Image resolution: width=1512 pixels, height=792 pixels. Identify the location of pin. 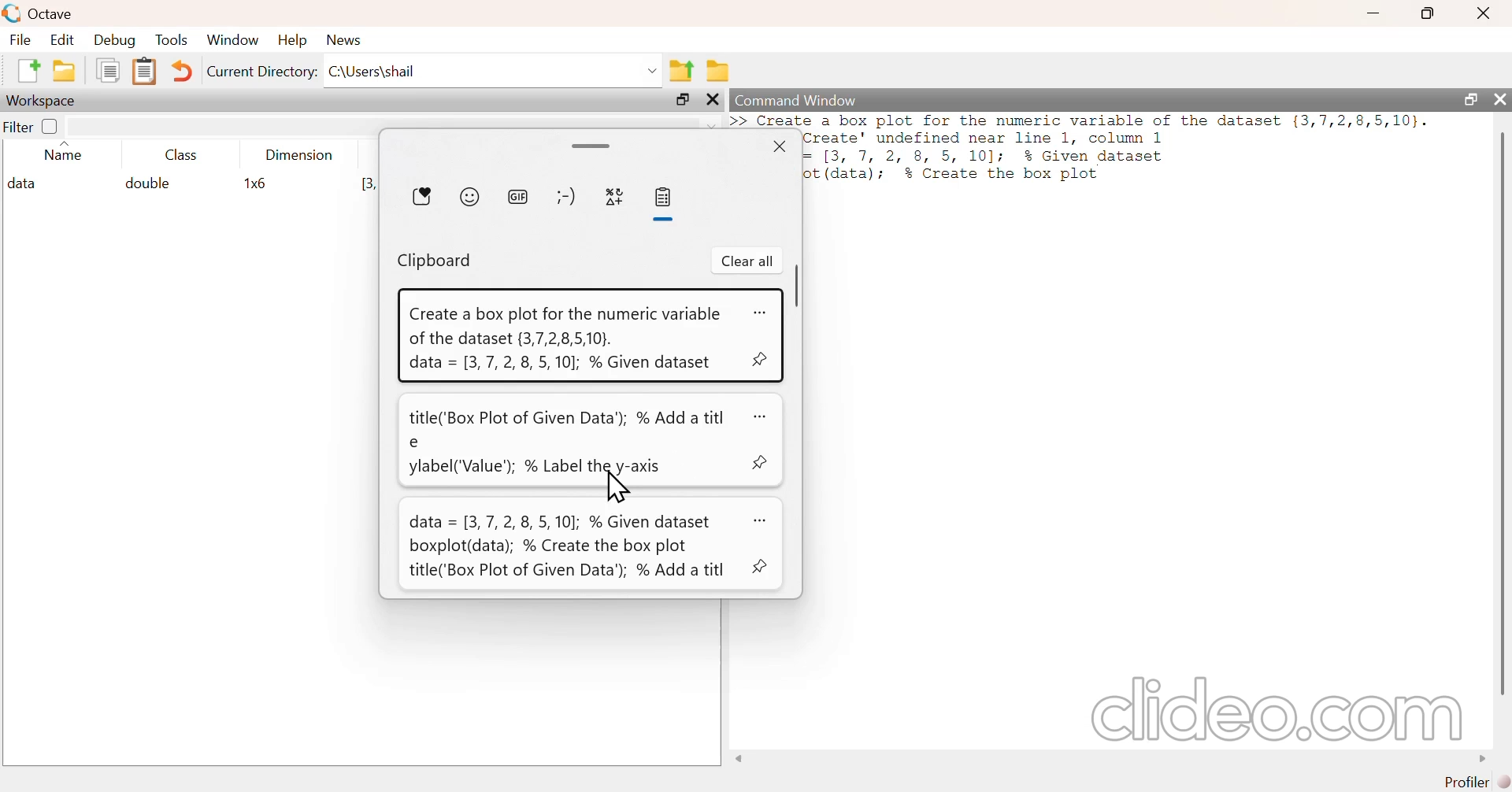
(763, 565).